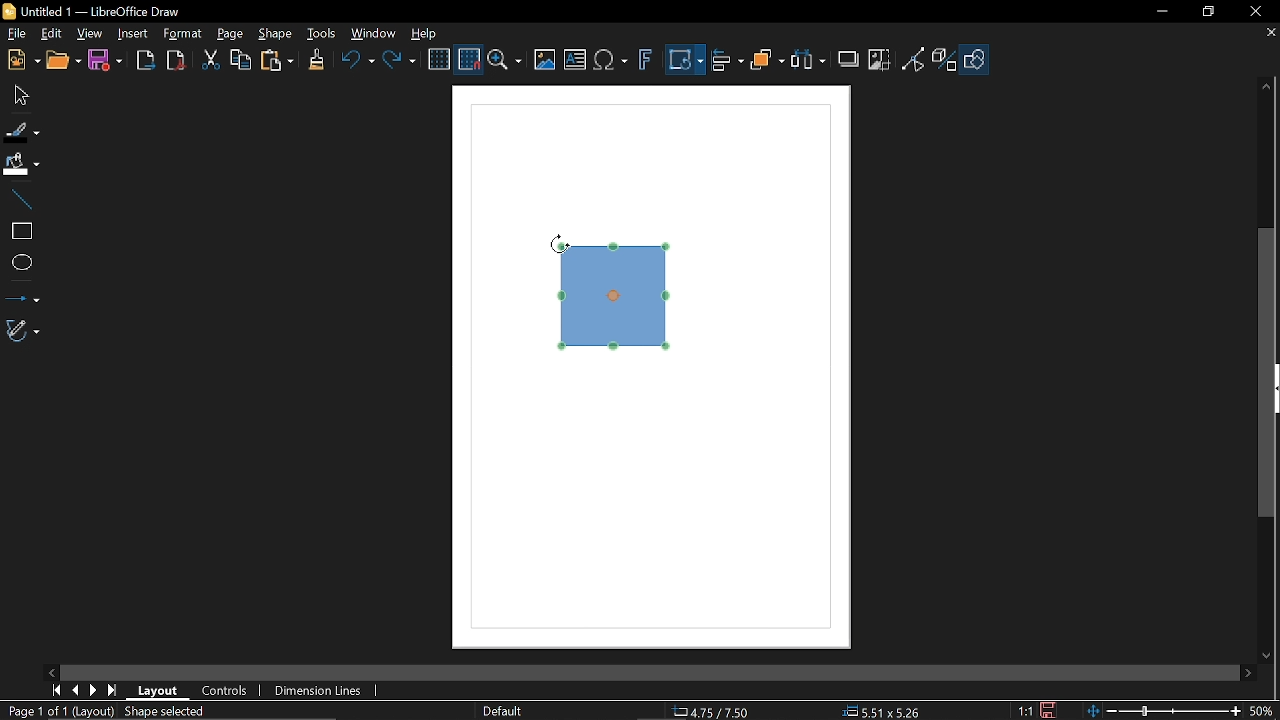  What do you see at coordinates (354, 62) in the screenshot?
I see `Undo` at bounding box center [354, 62].